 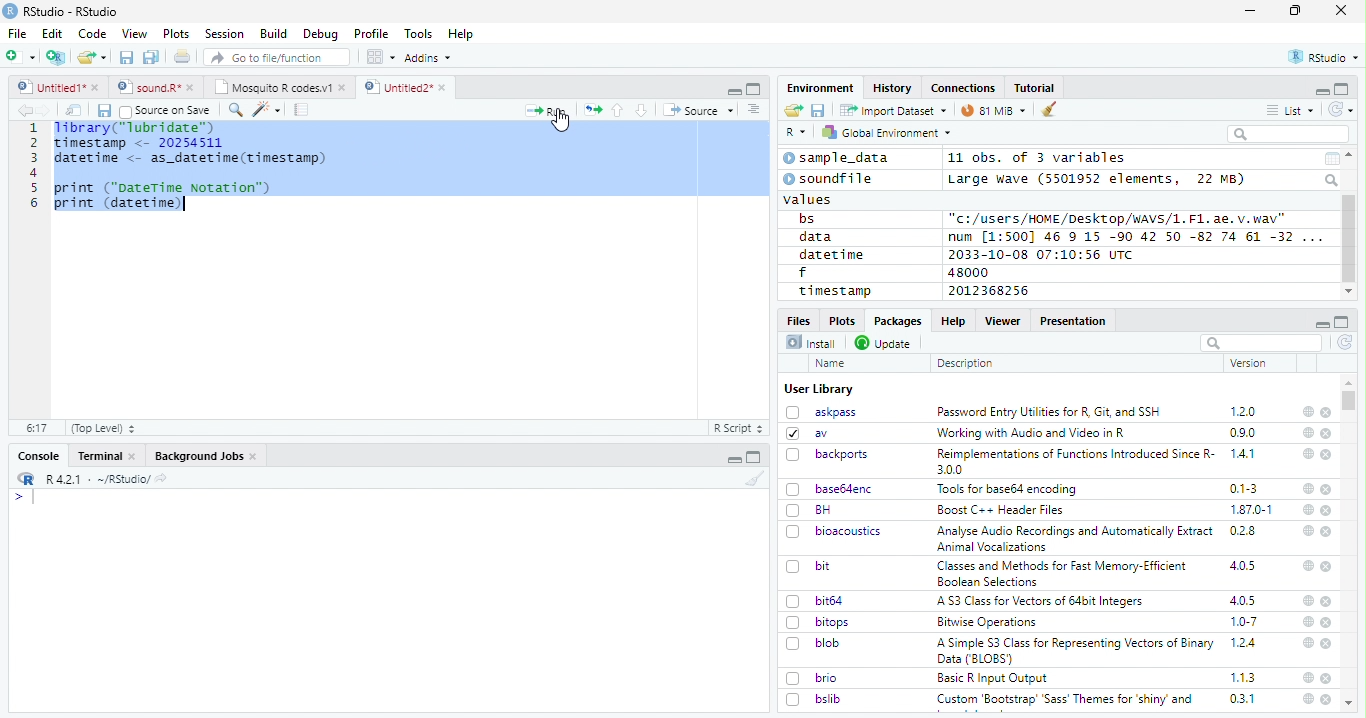 What do you see at coordinates (736, 457) in the screenshot?
I see `minimize` at bounding box center [736, 457].